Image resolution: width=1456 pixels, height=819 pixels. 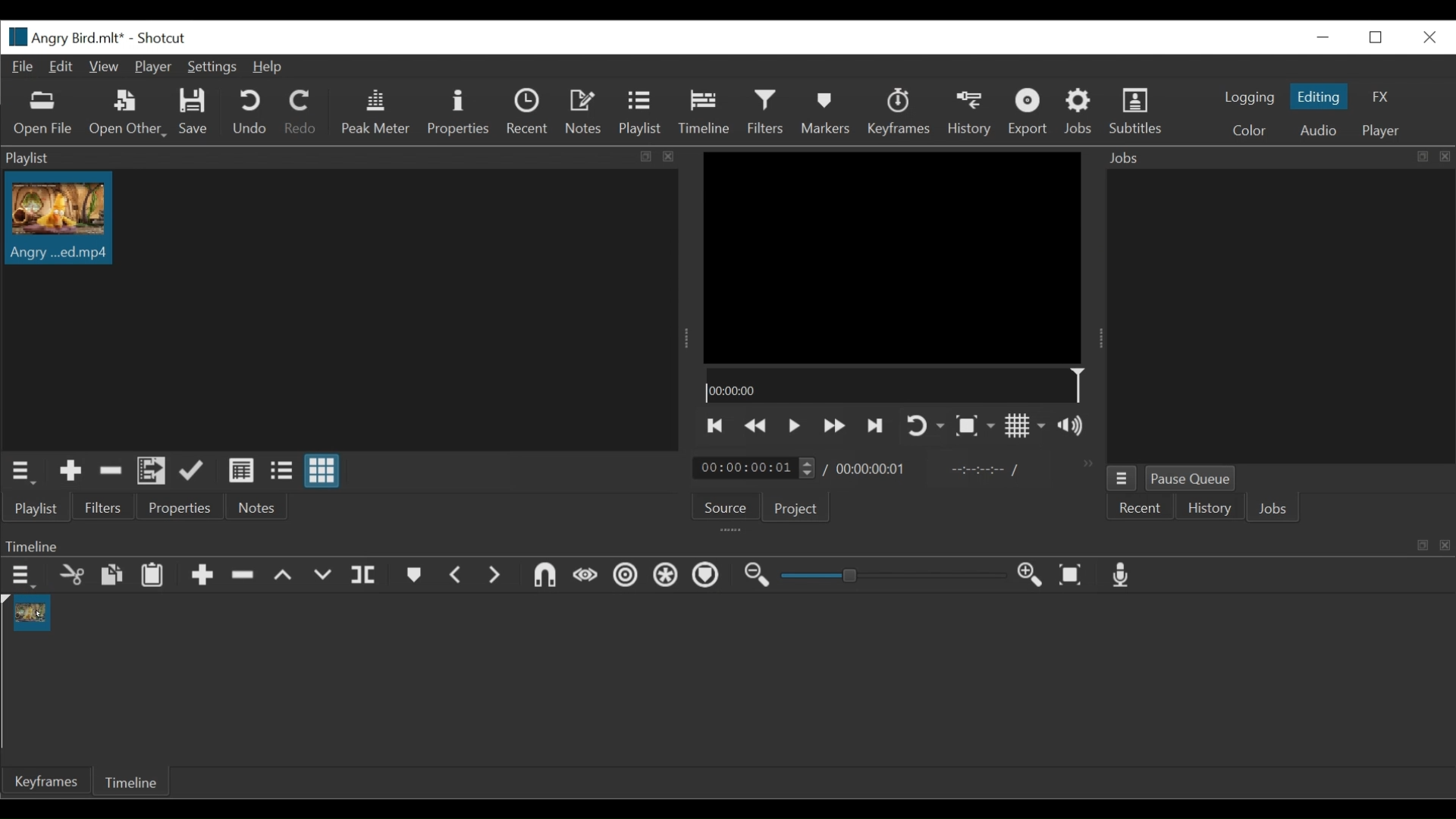 I want to click on Keyframes, so click(x=902, y=114).